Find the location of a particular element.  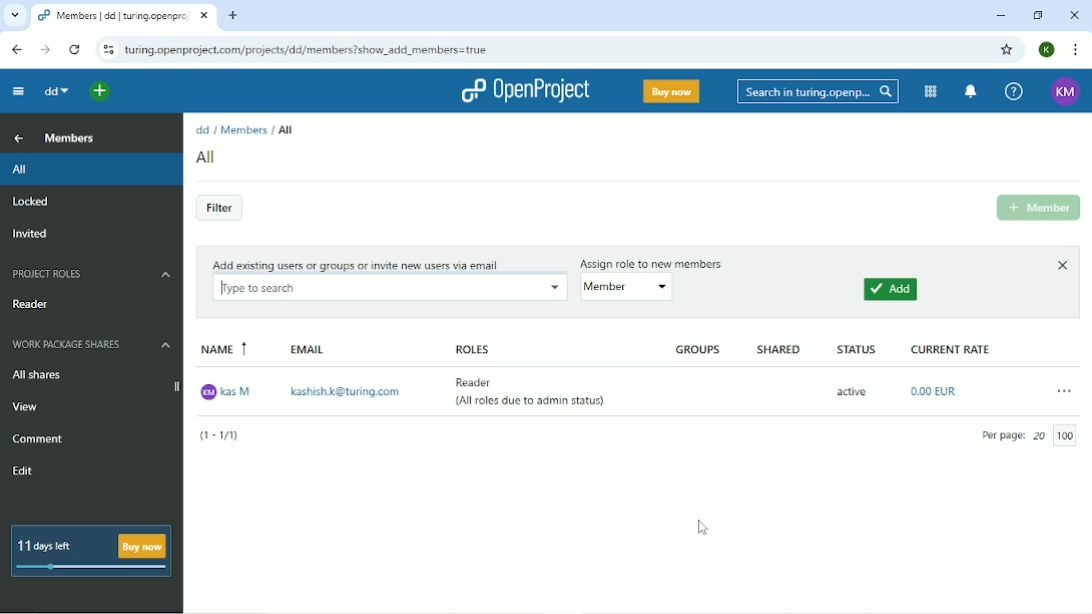

Add existing users or group or invite new users via email. is located at coordinates (354, 263).